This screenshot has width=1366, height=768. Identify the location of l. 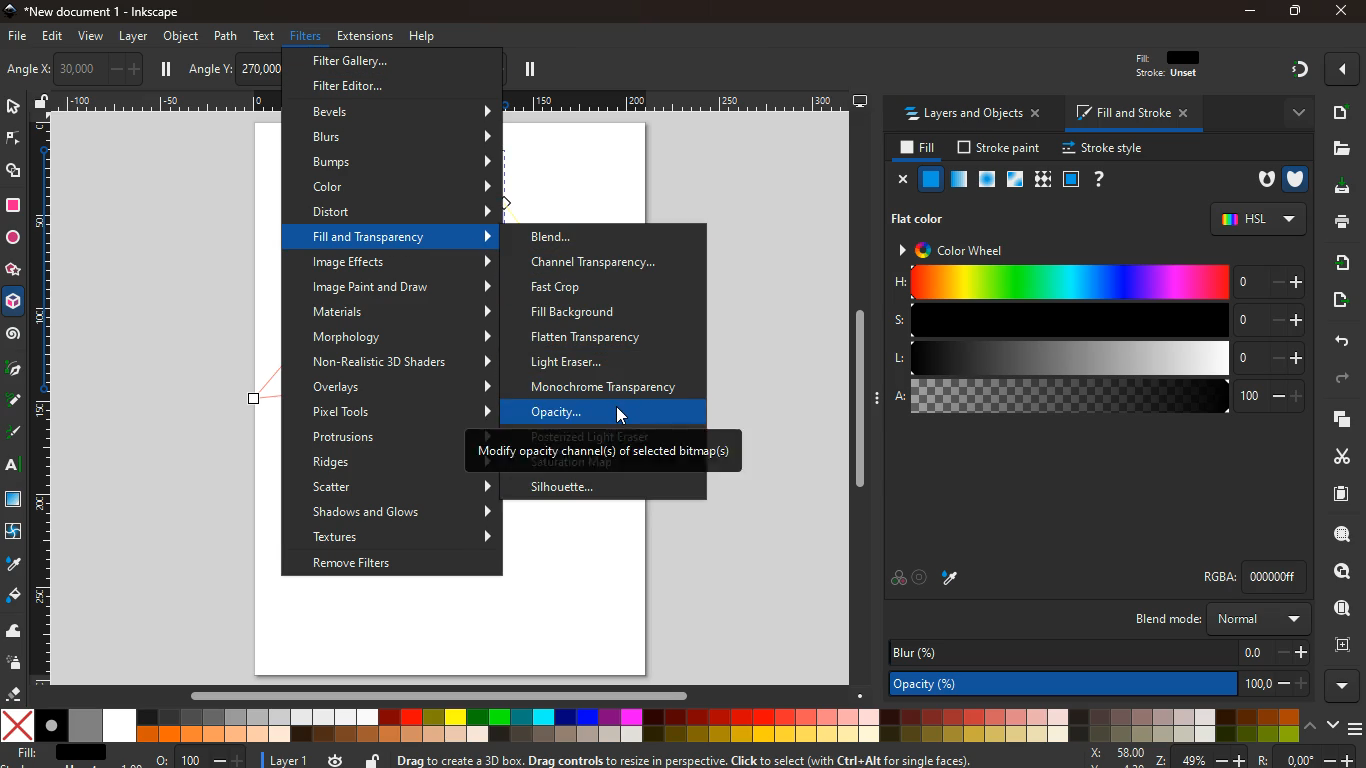
(1096, 359).